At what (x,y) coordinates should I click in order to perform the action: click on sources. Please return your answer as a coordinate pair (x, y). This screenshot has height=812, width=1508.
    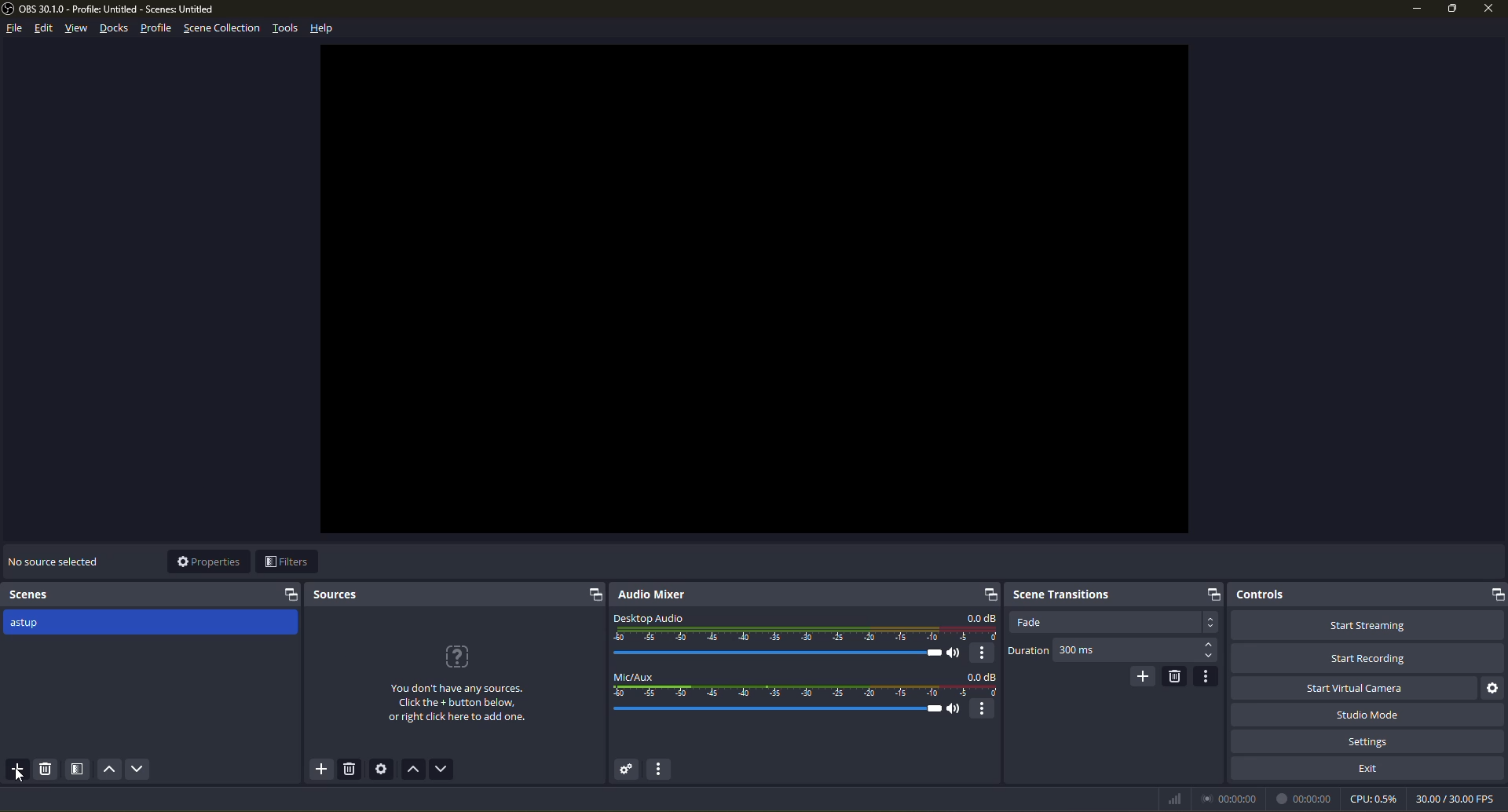
    Looking at the image, I should click on (335, 595).